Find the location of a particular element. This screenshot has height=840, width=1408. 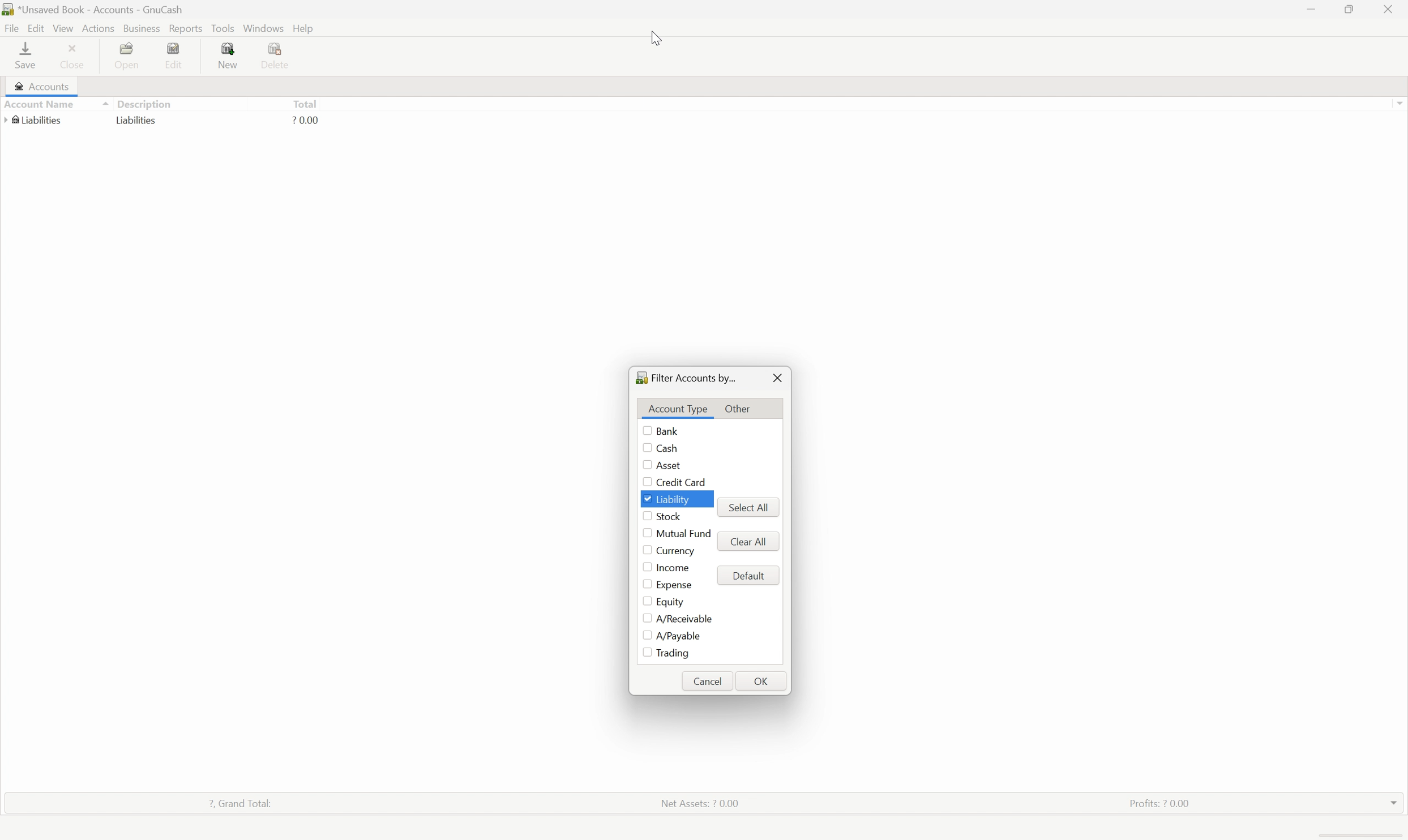

select all is located at coordinates (751, 505).